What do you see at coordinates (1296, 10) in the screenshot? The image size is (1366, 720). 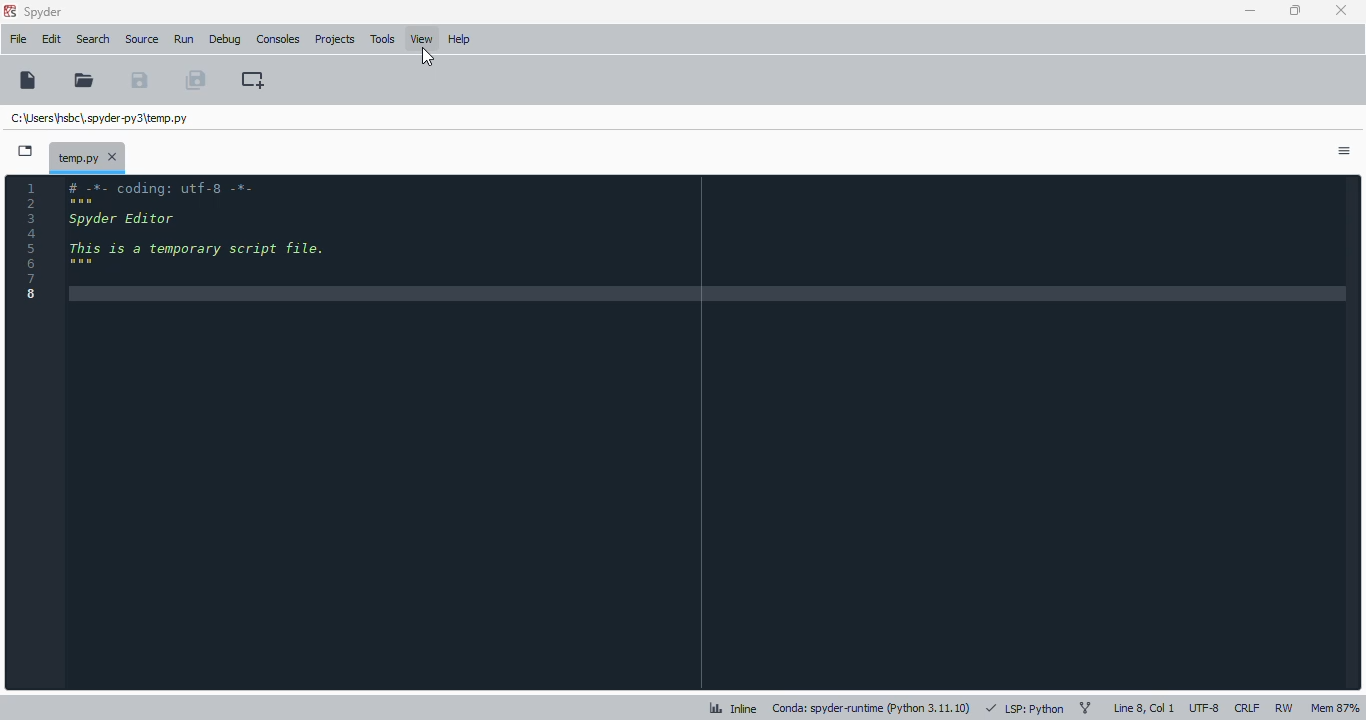 I see `maximize` at bounding box center [1296, 10].